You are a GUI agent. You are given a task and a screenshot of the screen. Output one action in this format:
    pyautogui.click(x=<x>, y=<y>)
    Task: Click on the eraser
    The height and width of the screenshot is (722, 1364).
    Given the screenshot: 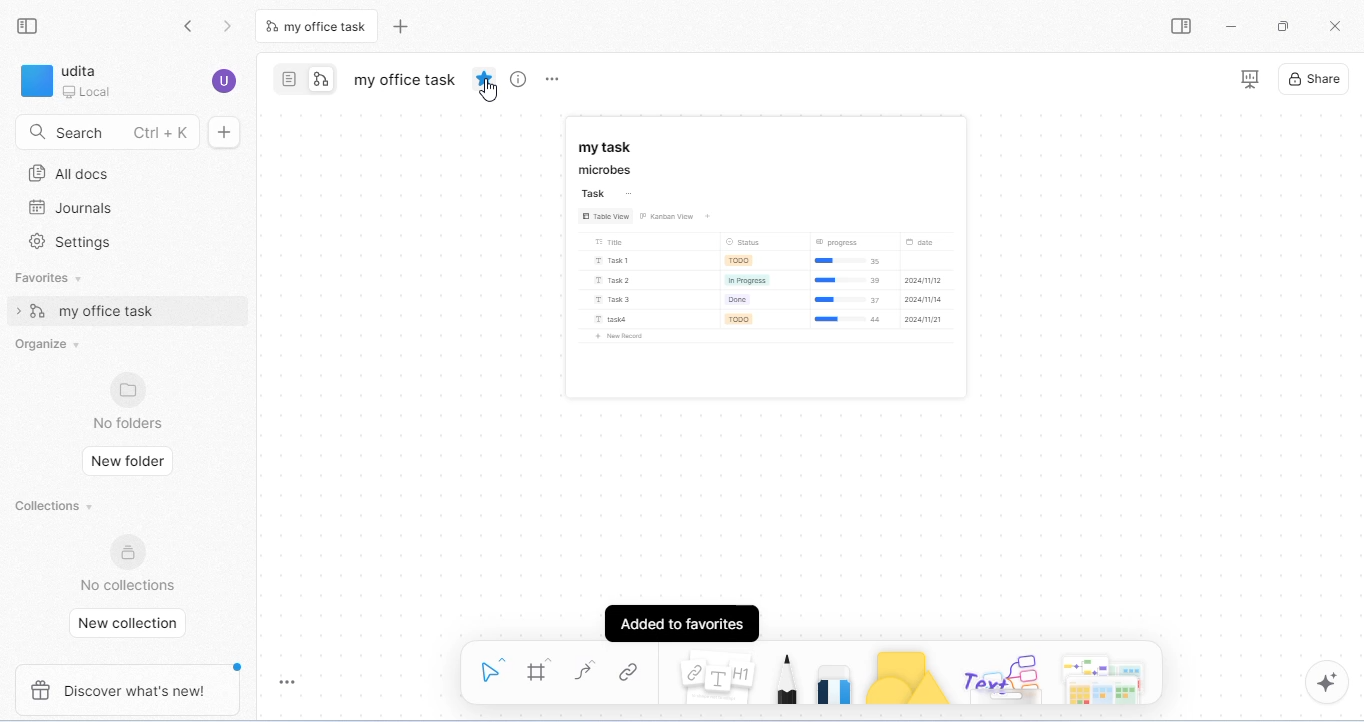 What is the action you would take?
    pyautogui.click(x=835, y=673)
    